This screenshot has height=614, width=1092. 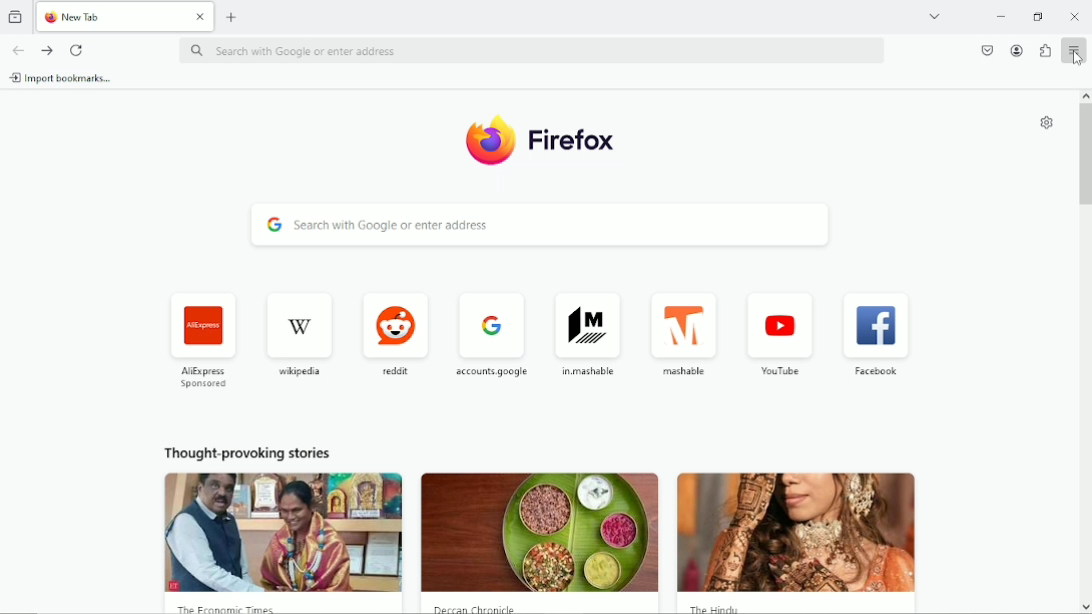 I want to click on import bookmarks, so click(x=67, y=79).